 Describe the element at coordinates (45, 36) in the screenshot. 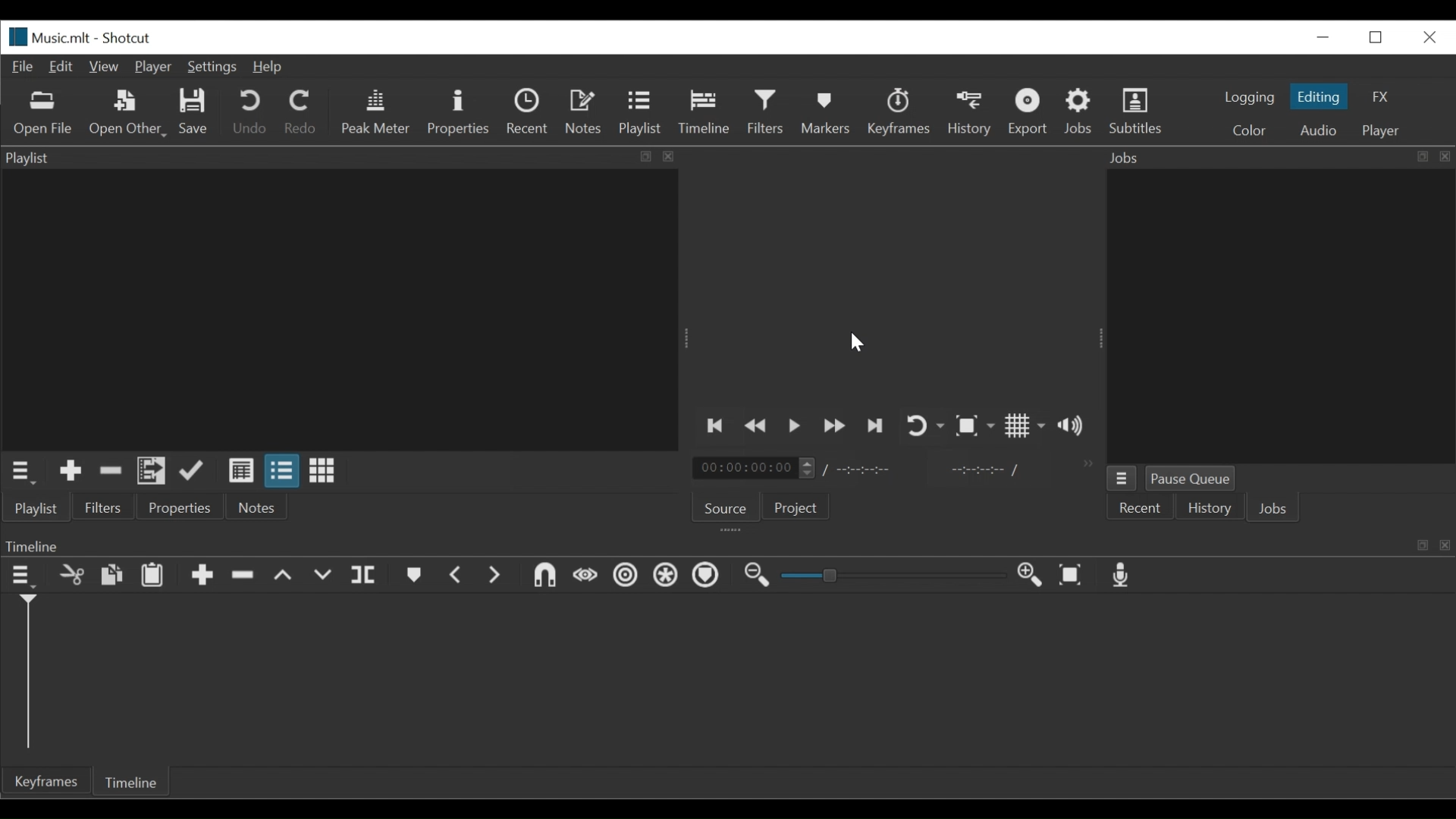

I see `File Name` at that location.